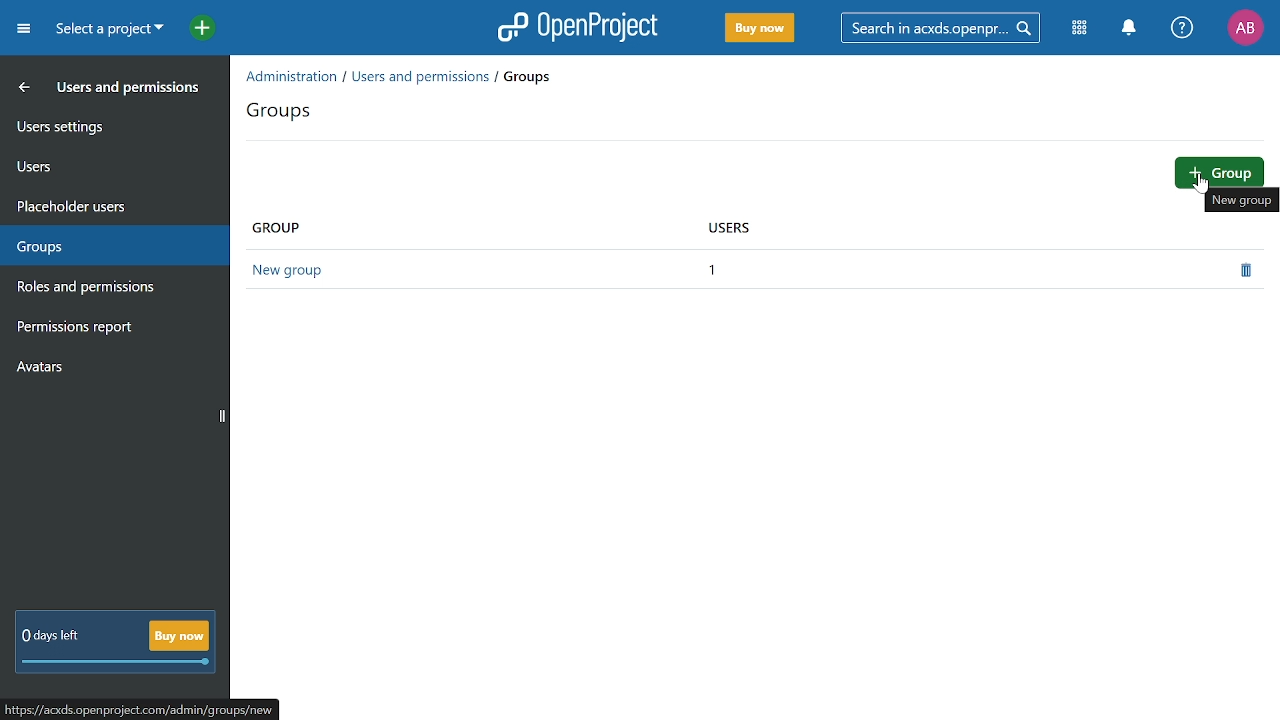 The width and height of the screenshot is (1280, 720). I want to click on Number of users, so click(720, 269).